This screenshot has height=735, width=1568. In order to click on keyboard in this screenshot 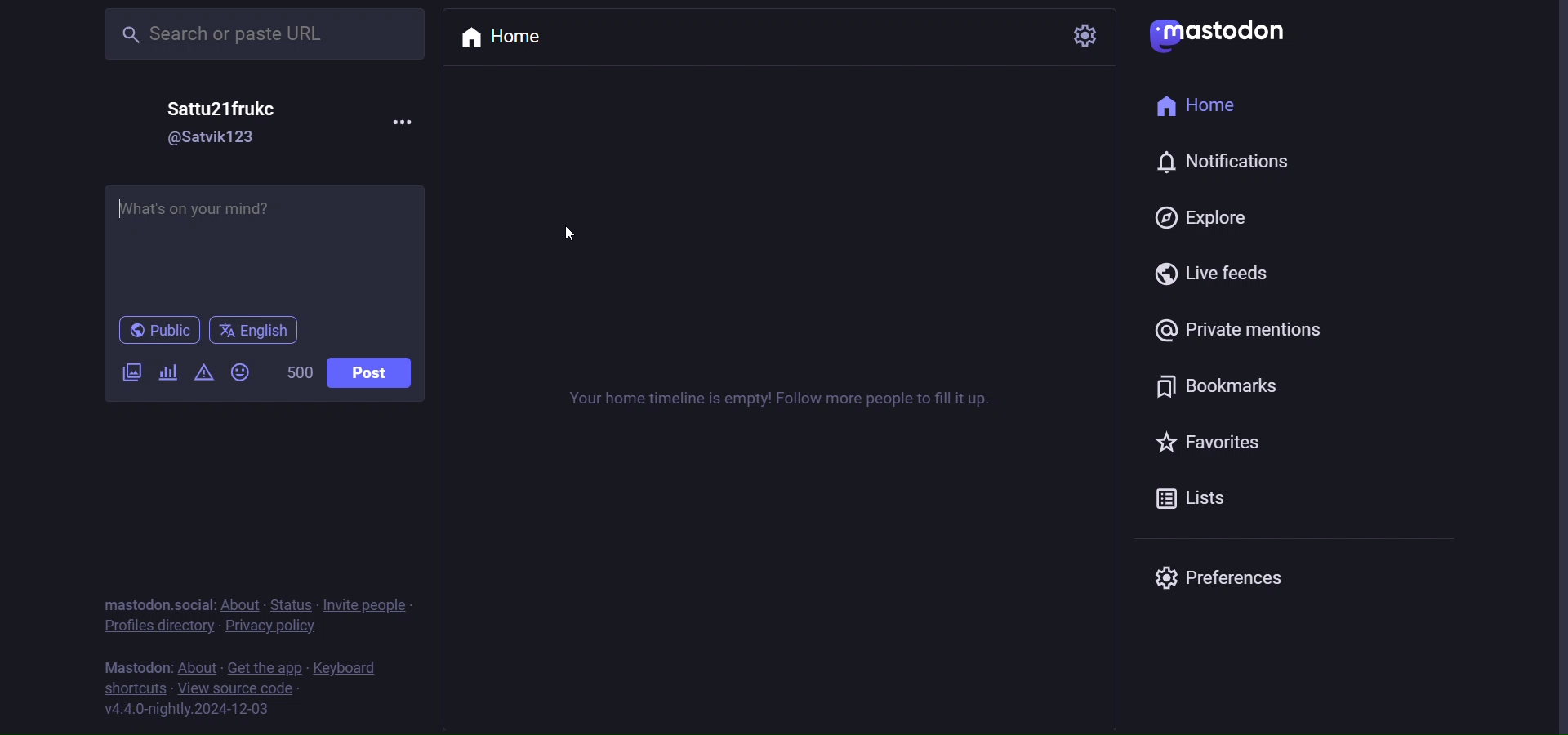, I will do `click(349, 668)`.